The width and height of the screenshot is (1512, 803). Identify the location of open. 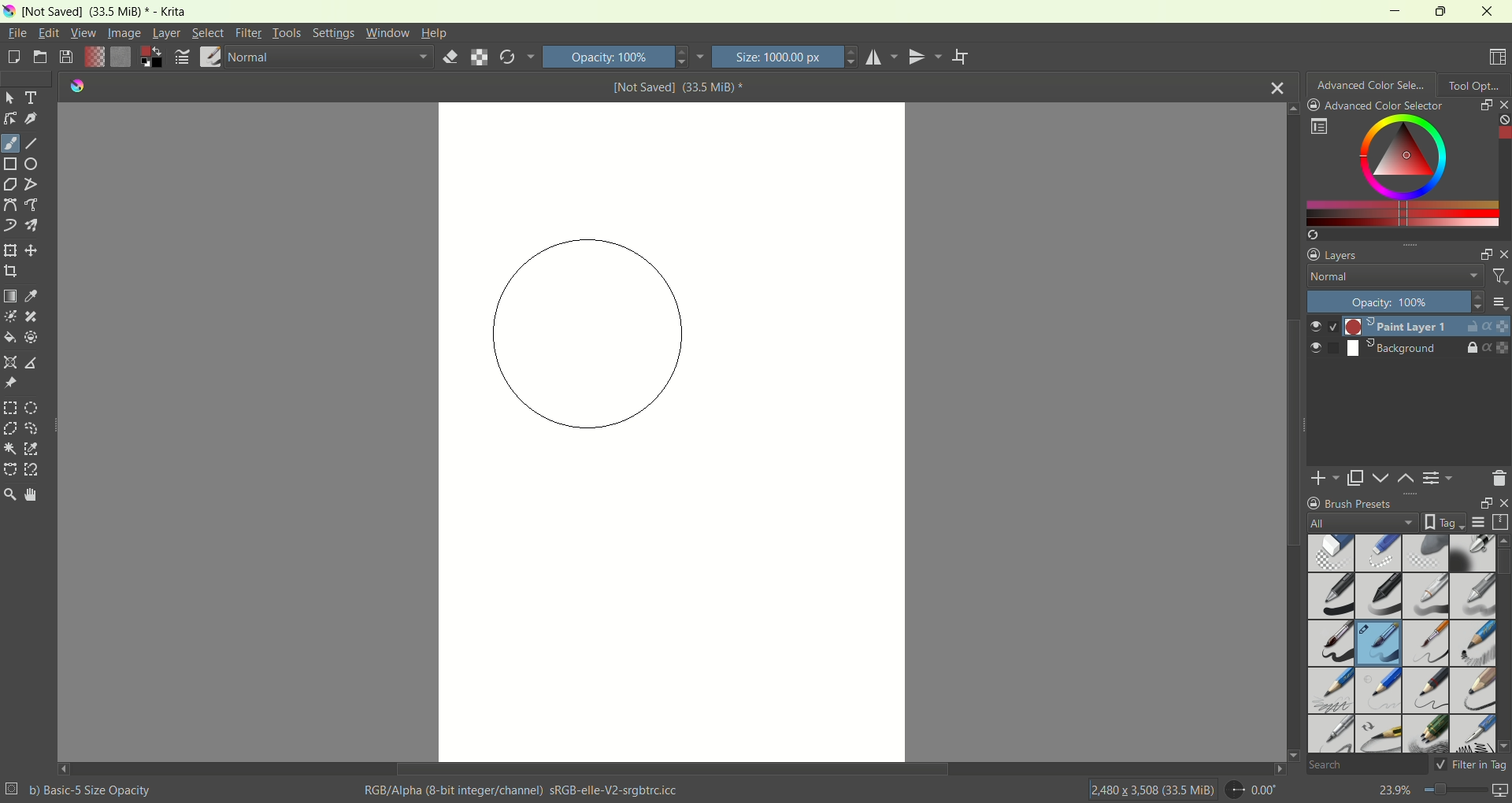
(39, 56).